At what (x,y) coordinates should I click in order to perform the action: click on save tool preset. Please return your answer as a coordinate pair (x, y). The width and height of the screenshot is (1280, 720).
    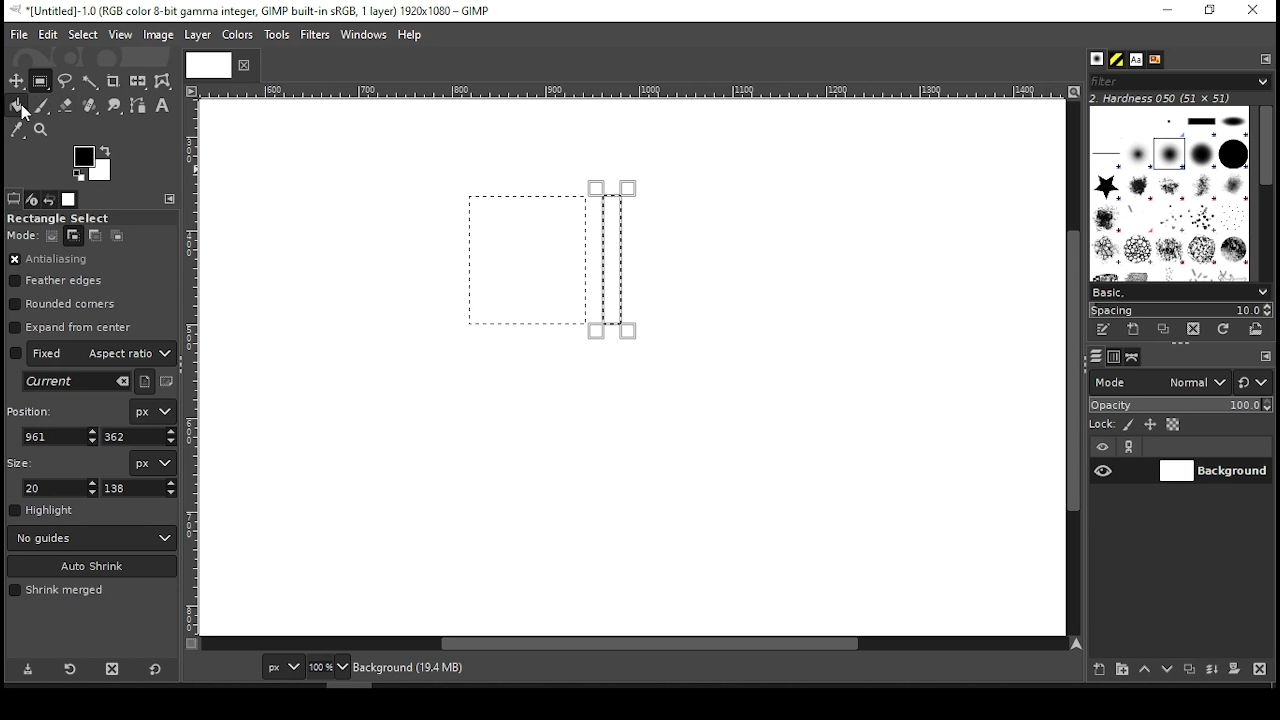
    Looking at the image, I should click on (30, 668).